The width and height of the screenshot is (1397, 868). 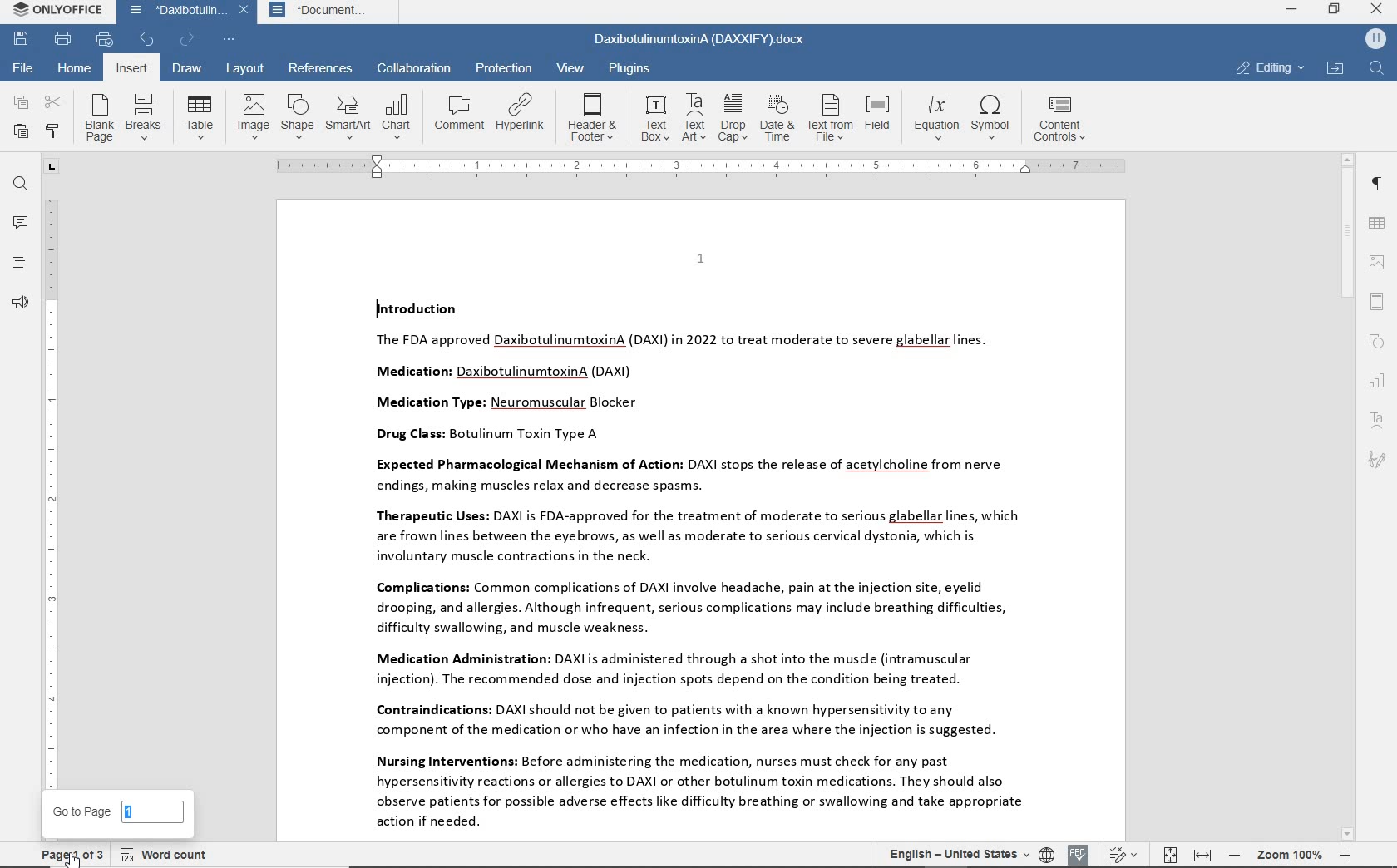 What do you see at coordinates (326, 13) in the screenshot?
I see `*Document...` at bounding box center [326, 13].